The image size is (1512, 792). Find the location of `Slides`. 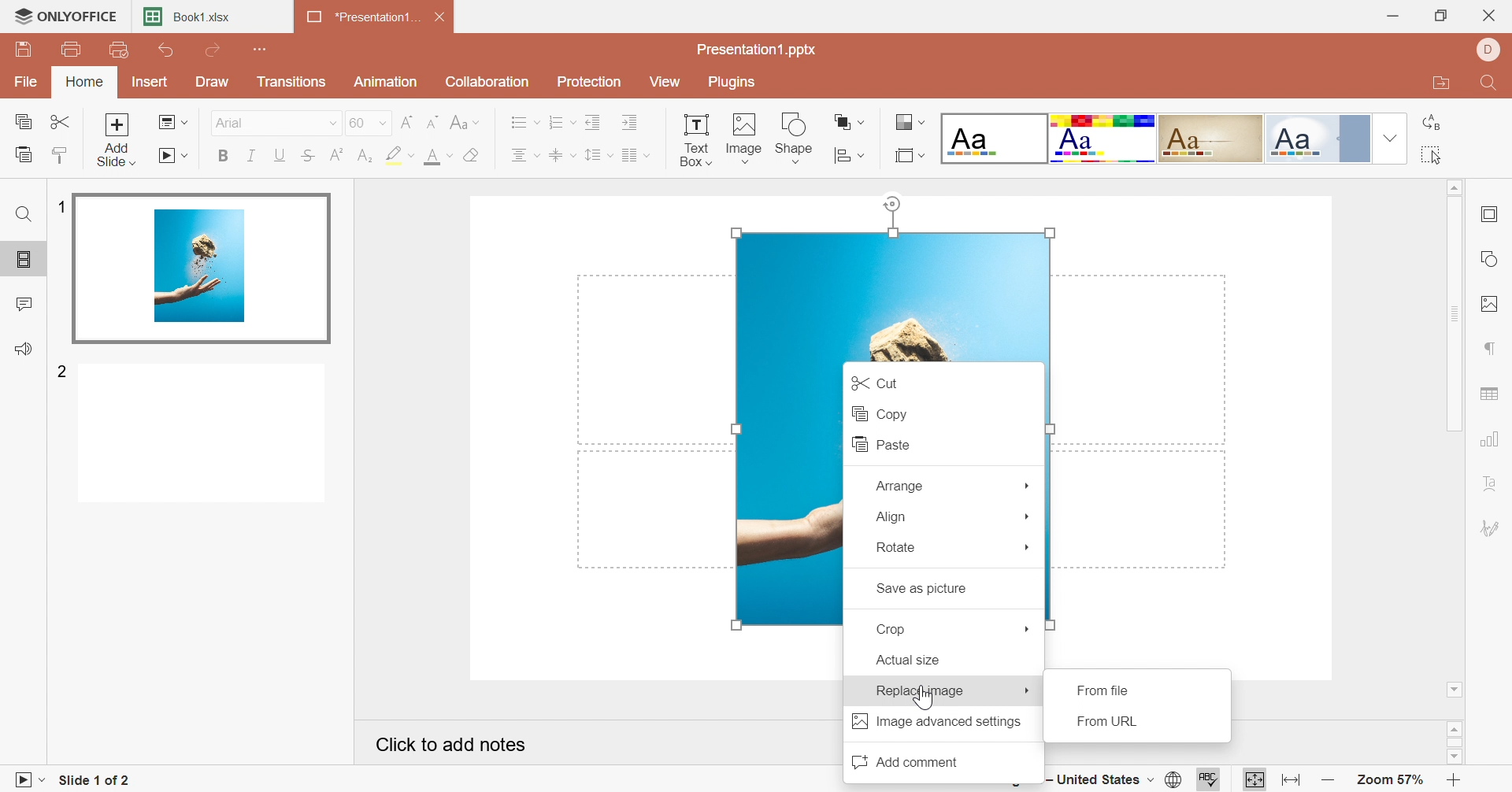

Slides is located at coordinates (24, 261).